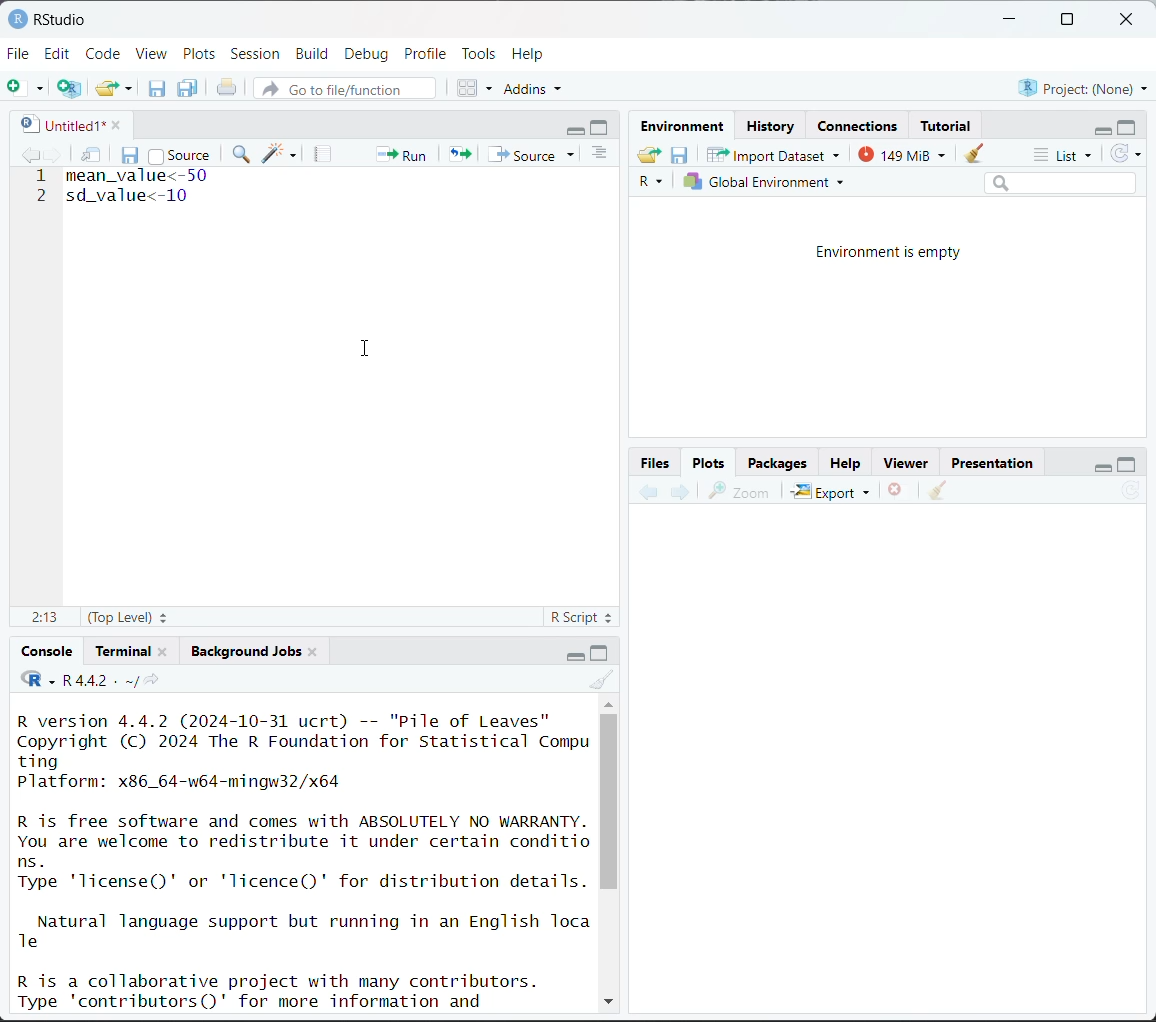 This screenshot has width=1156, height=1022. Describe the element at coordinates (680, 156) in the screenshot. I see `save workspace as` at that location.